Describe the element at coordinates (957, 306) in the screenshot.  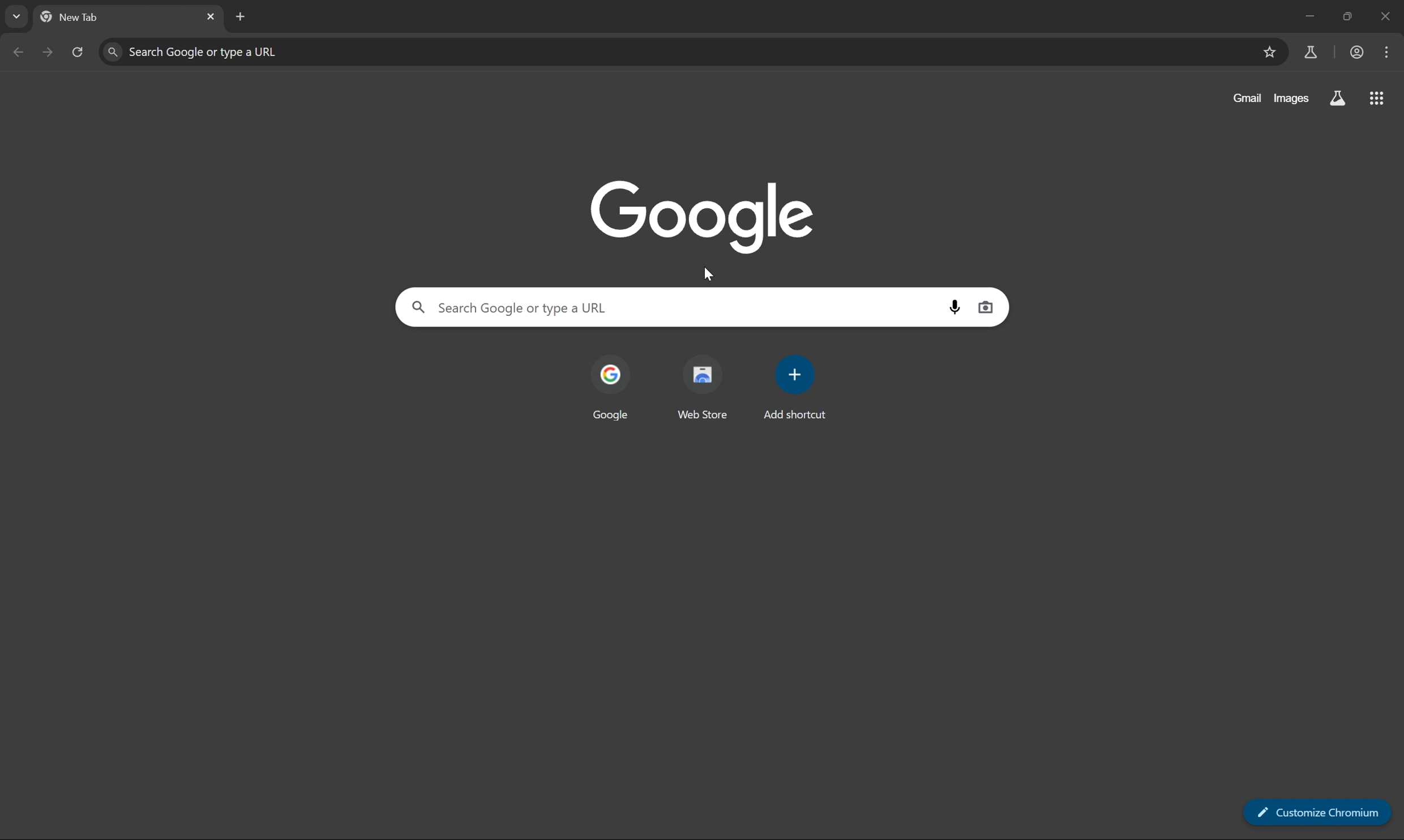
I see `search by voice` at that location.